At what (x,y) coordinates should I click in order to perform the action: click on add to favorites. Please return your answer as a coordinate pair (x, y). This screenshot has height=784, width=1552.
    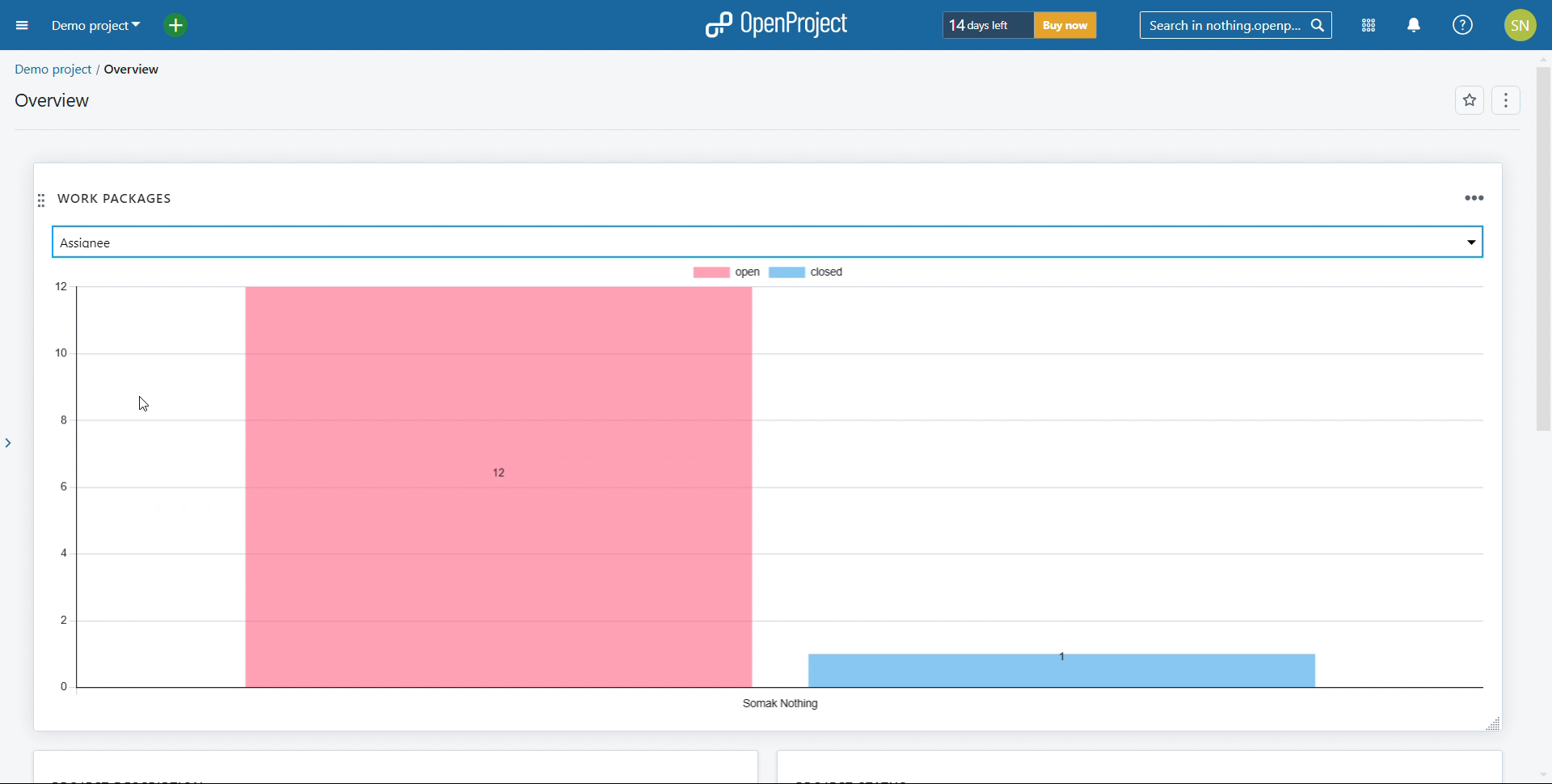
    Looking at the image, I should click on (1470, 99).